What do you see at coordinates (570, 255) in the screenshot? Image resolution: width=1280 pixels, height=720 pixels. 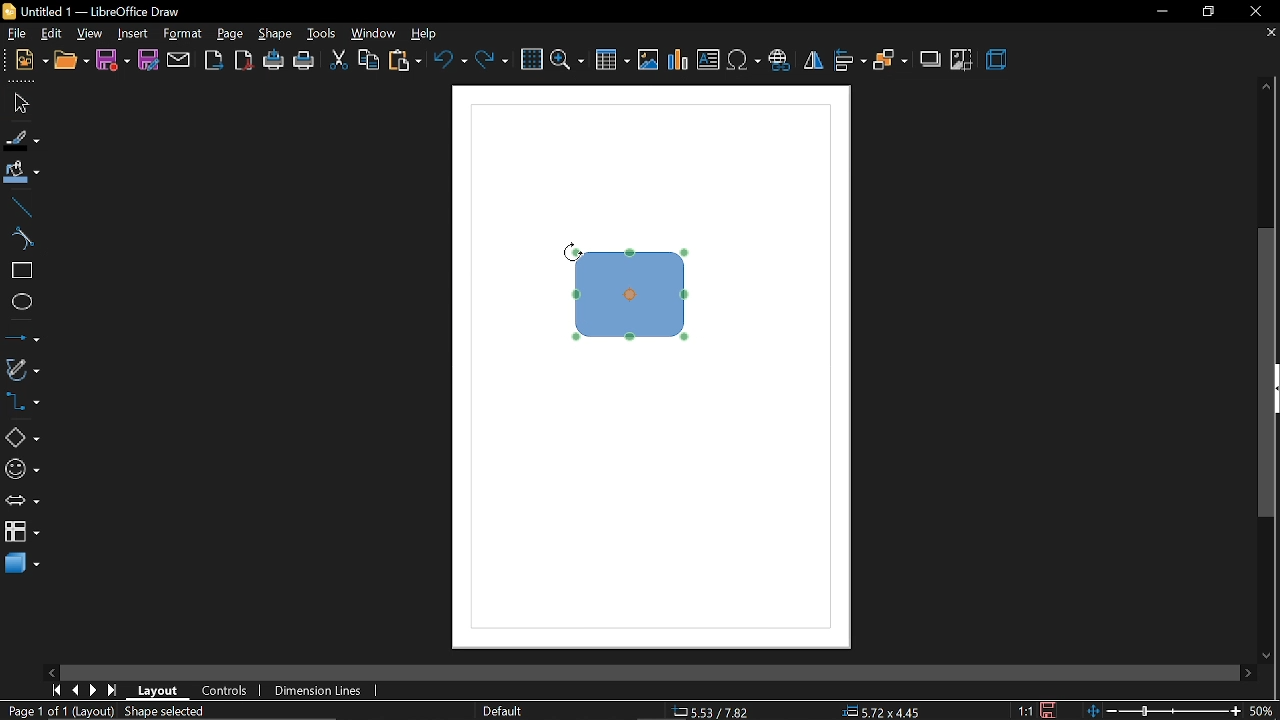 I see `Cursor` at bounding box center [570, 255].